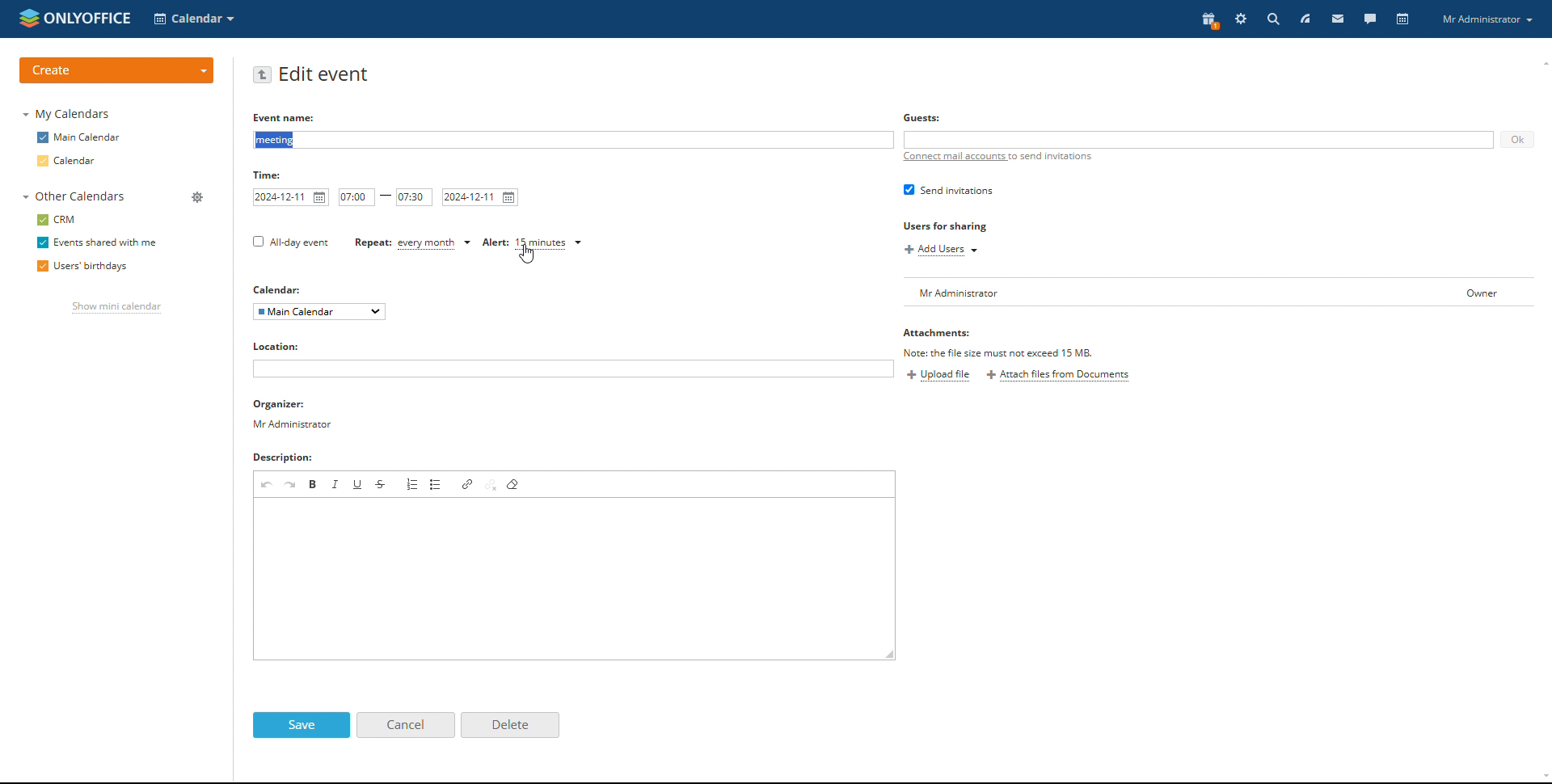  Describe the element at coordinates (468, 483) in the screenshot. I see `link` at that location.